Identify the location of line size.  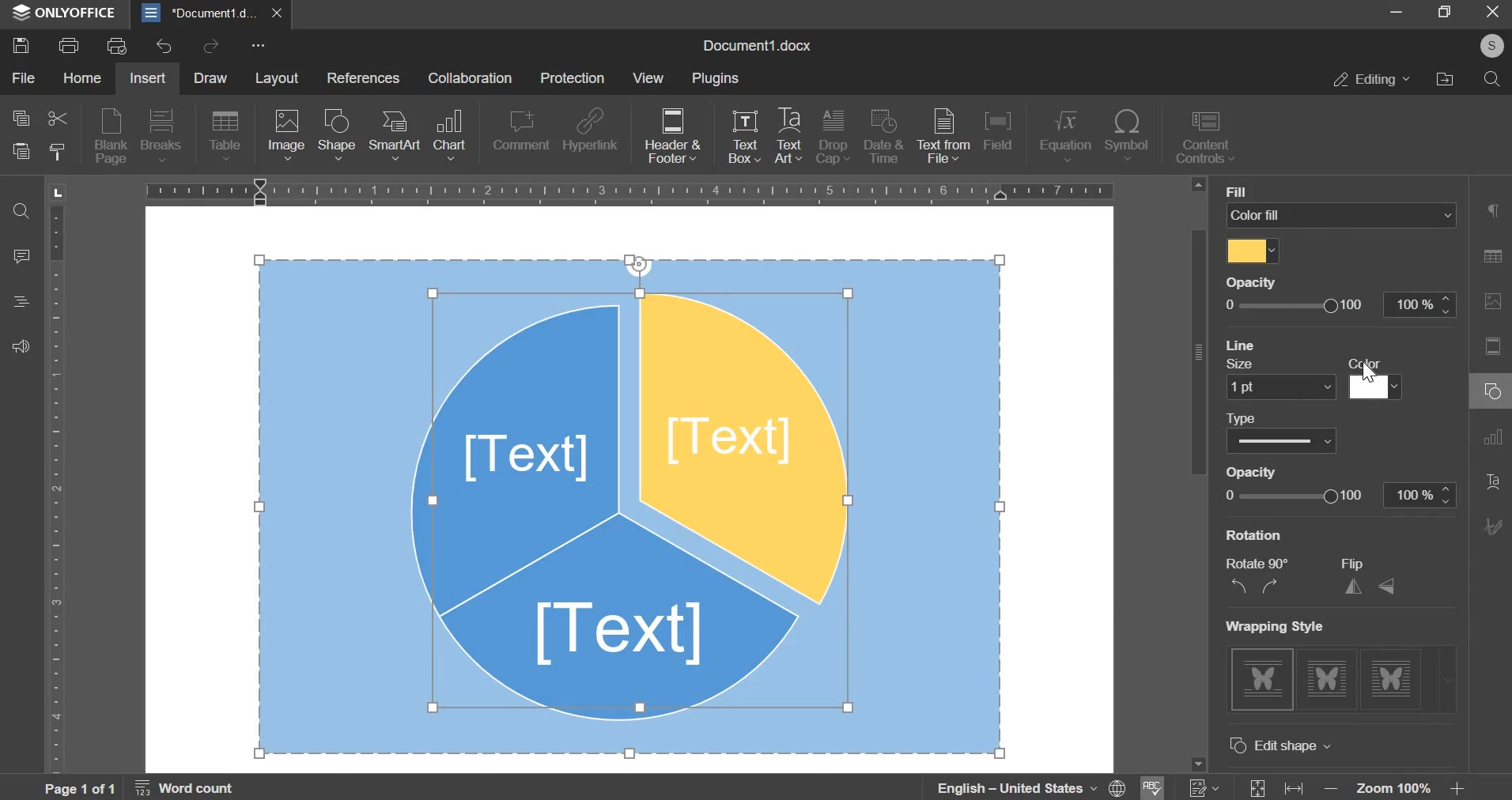
(1279, 386).